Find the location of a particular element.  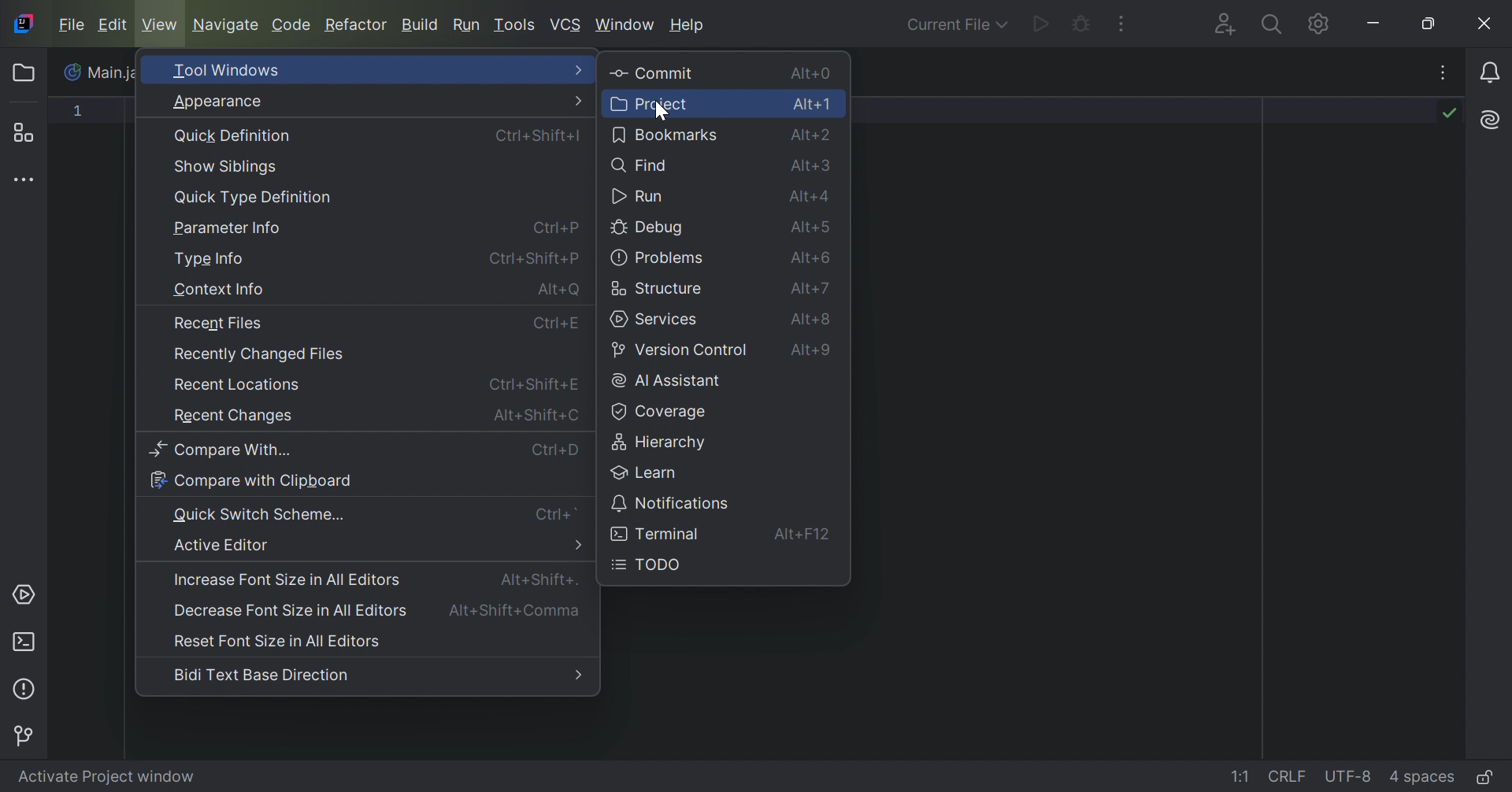

Decrease Font Size in All Editors is located at coordinates (287, 609).